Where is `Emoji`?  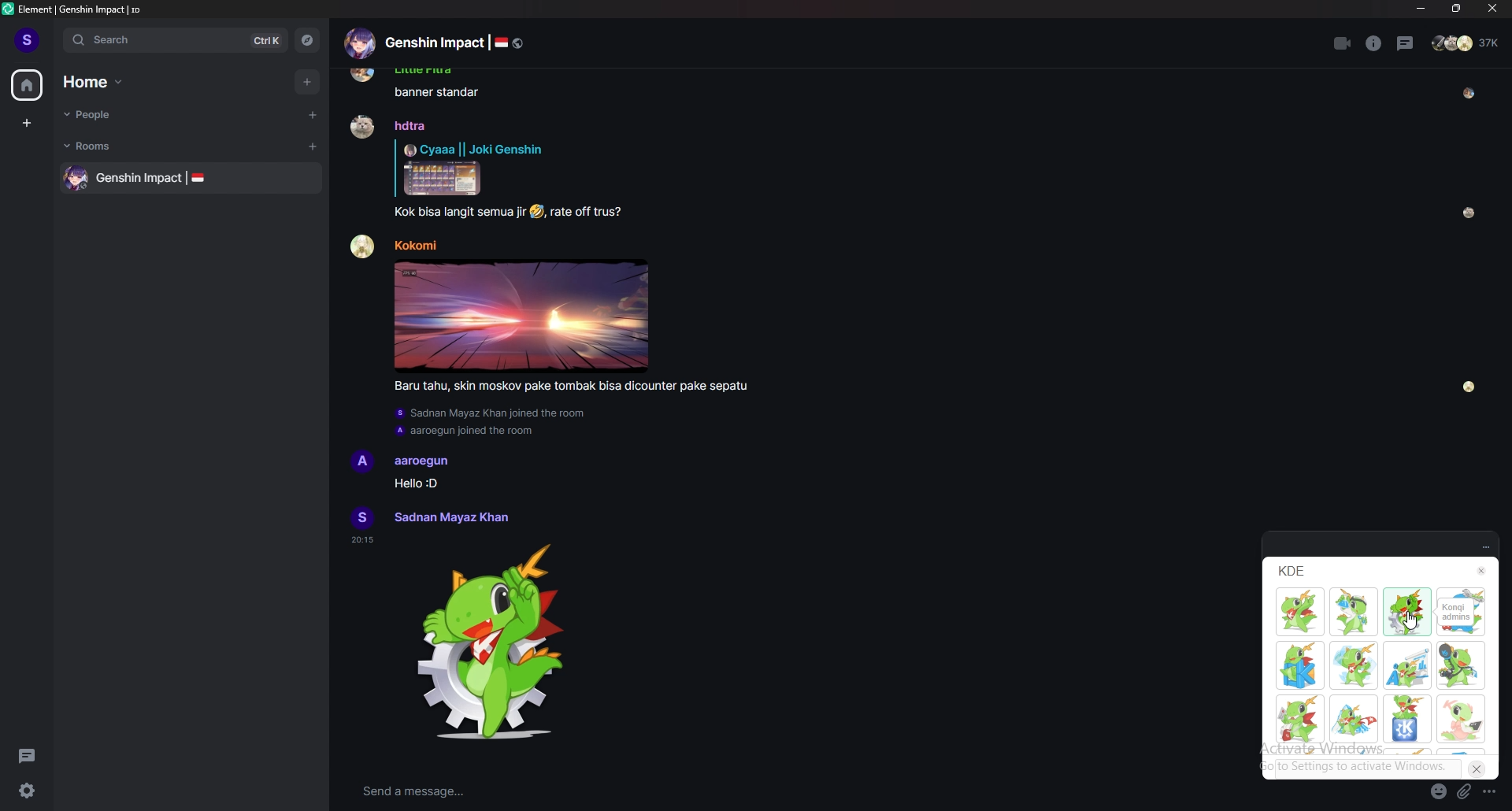
Emoji is located at coordinates (536, 212).